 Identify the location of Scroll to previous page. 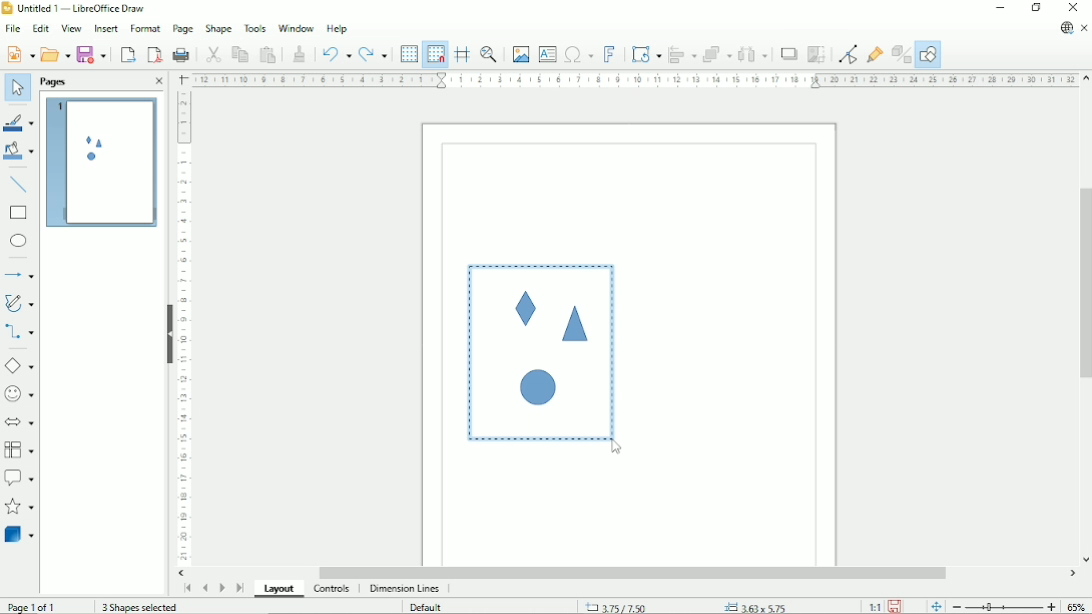
(204, 589).